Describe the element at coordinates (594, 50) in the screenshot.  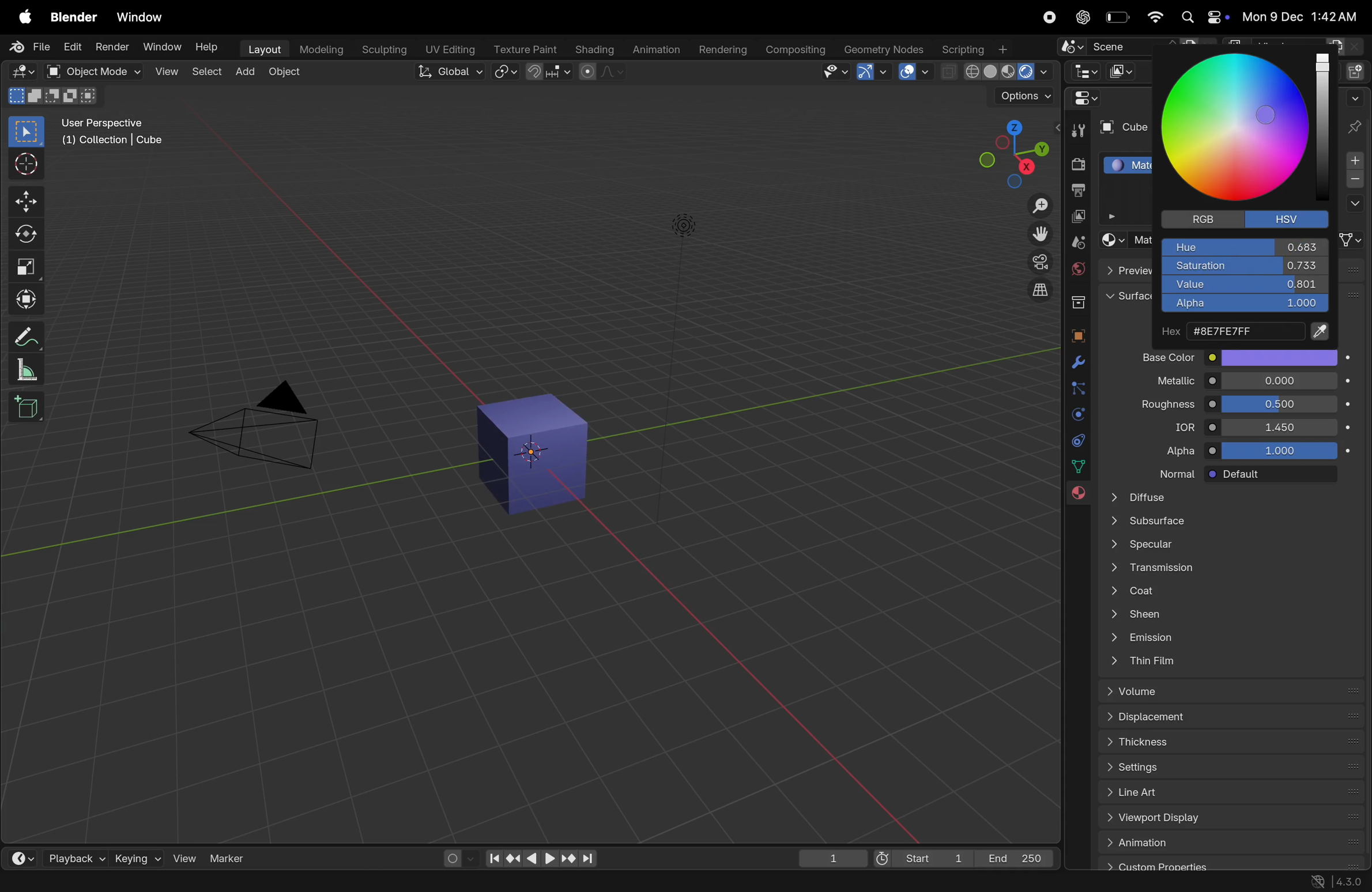
I see `shading` at that location.